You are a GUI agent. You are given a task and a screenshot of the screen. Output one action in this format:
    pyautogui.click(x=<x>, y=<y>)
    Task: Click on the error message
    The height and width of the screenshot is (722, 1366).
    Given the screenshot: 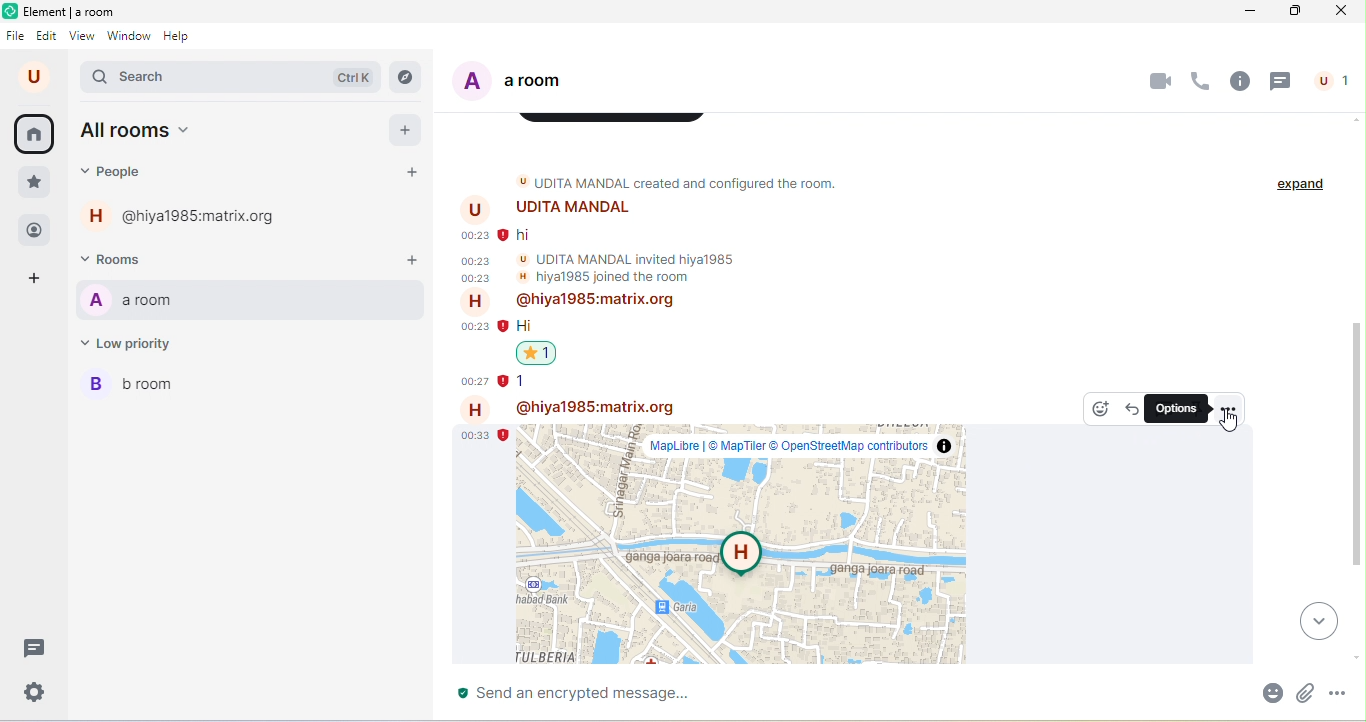 What is the action you would take?
    pyautogui.click(x=504, y=326)
    